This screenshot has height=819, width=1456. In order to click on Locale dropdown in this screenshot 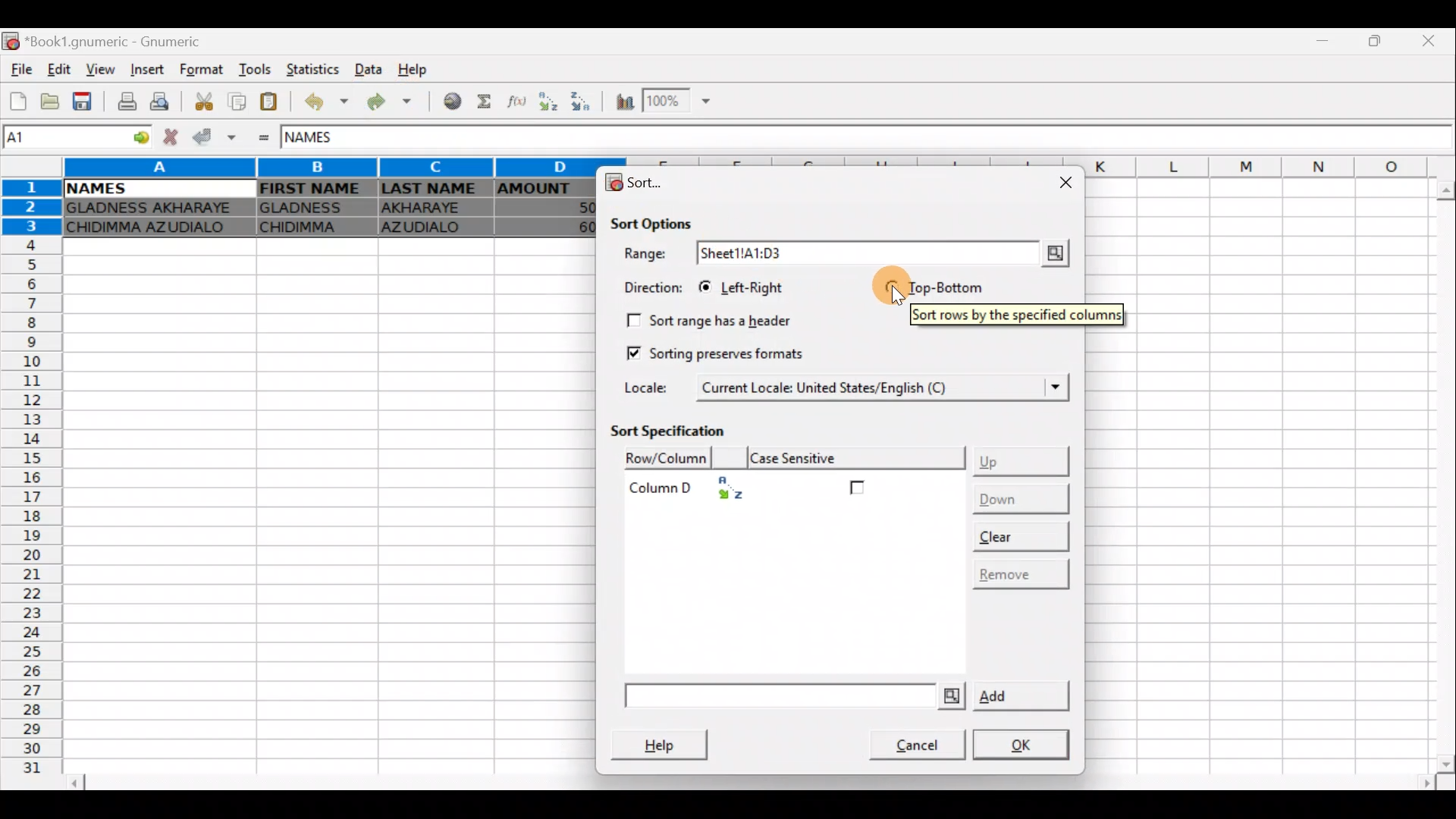, I will do `click(1047, 388)`.